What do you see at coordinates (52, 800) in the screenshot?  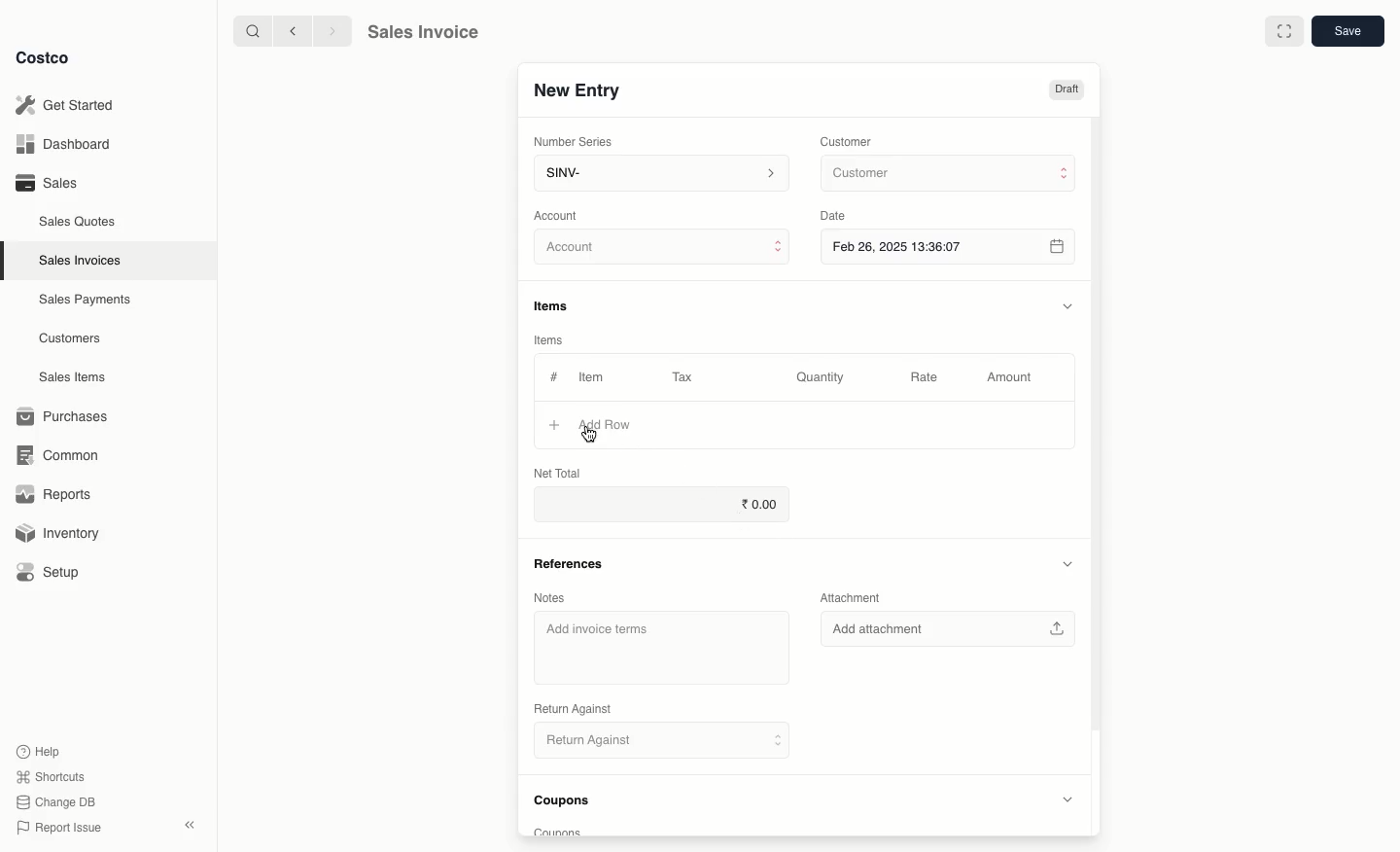 I see `Change DB` at bounding box center [52, 800].